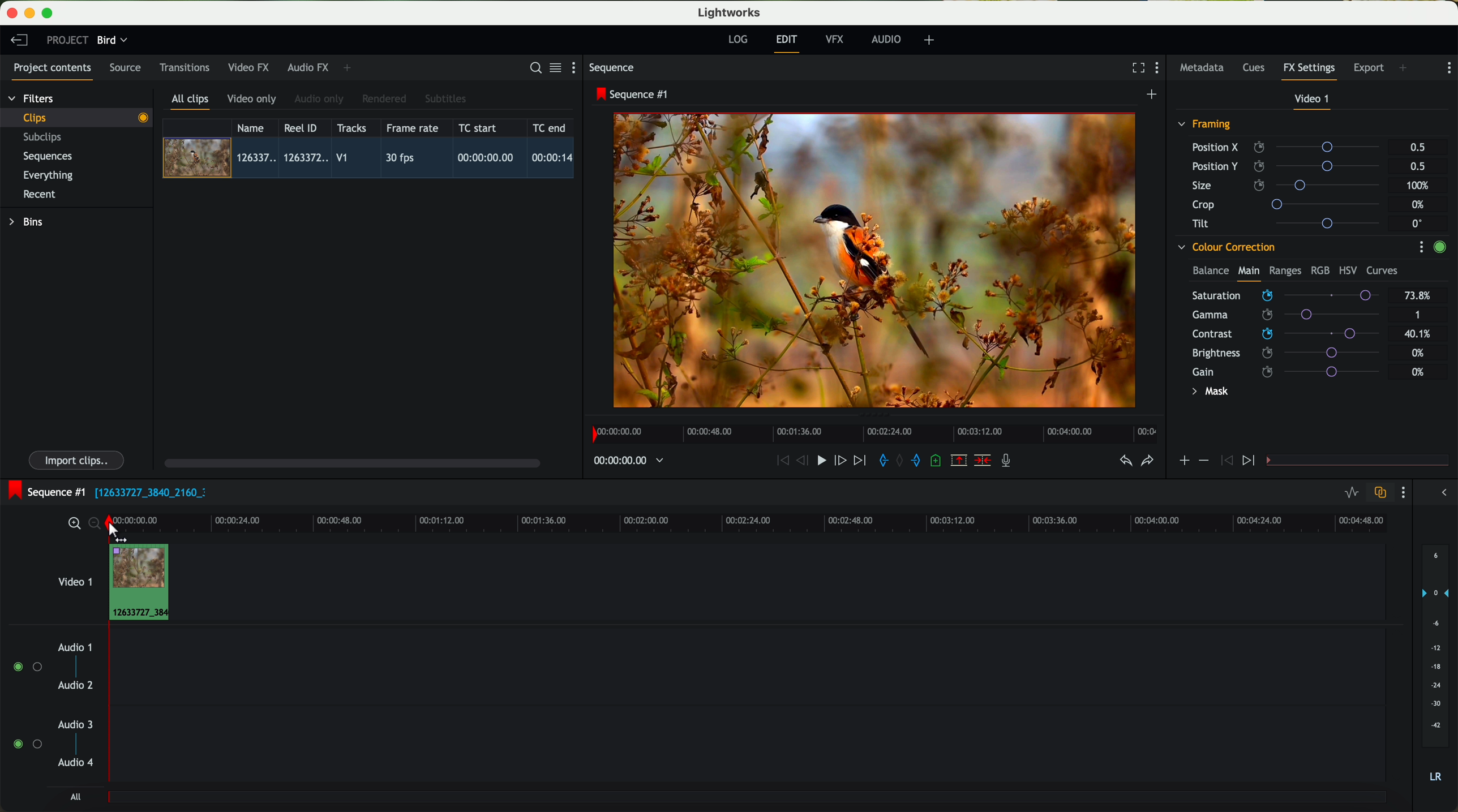  I want to click on rendered, so click(385, 100).